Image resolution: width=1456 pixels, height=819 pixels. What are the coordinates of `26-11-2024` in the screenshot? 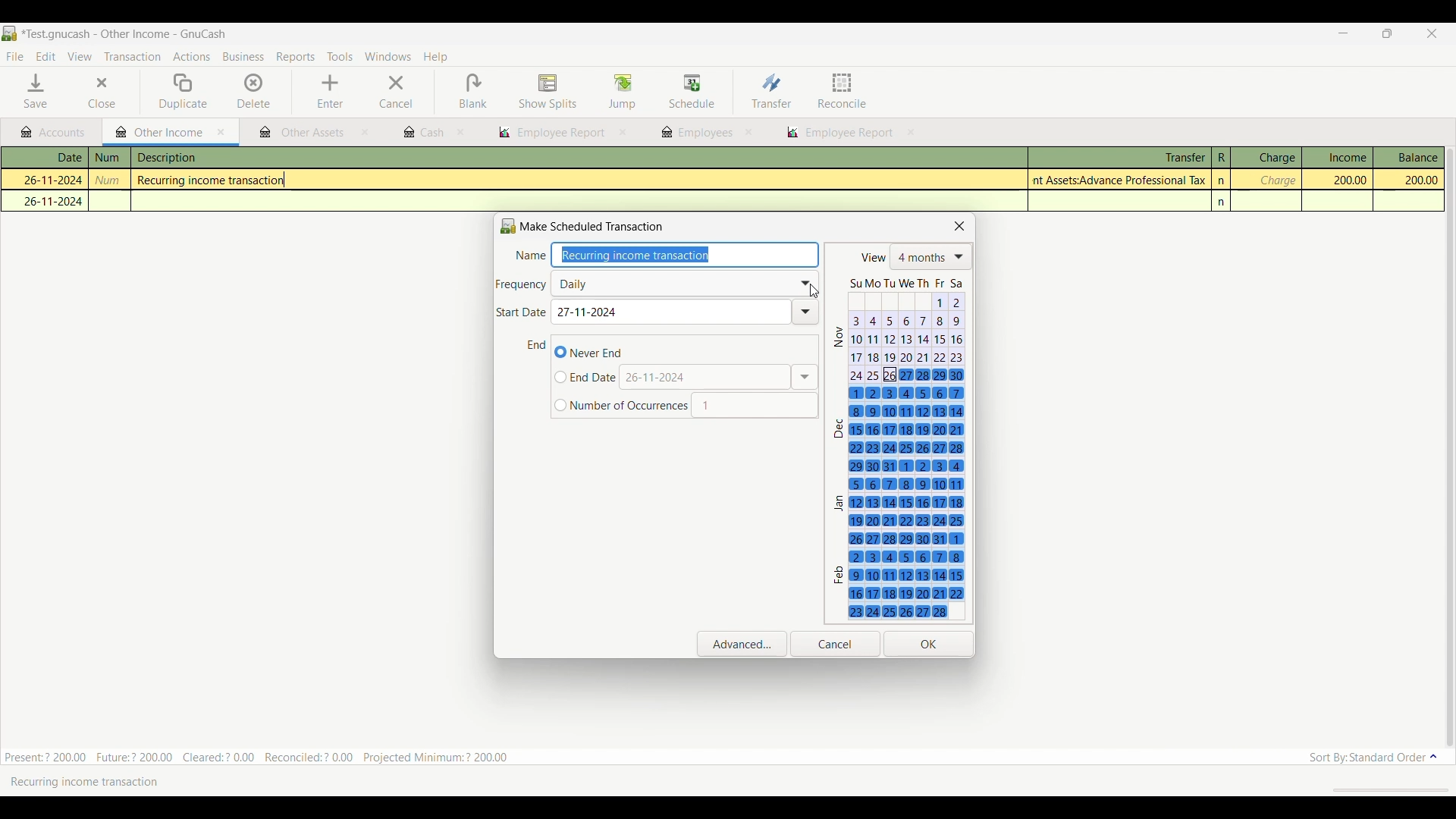 It's located at (46, 178).